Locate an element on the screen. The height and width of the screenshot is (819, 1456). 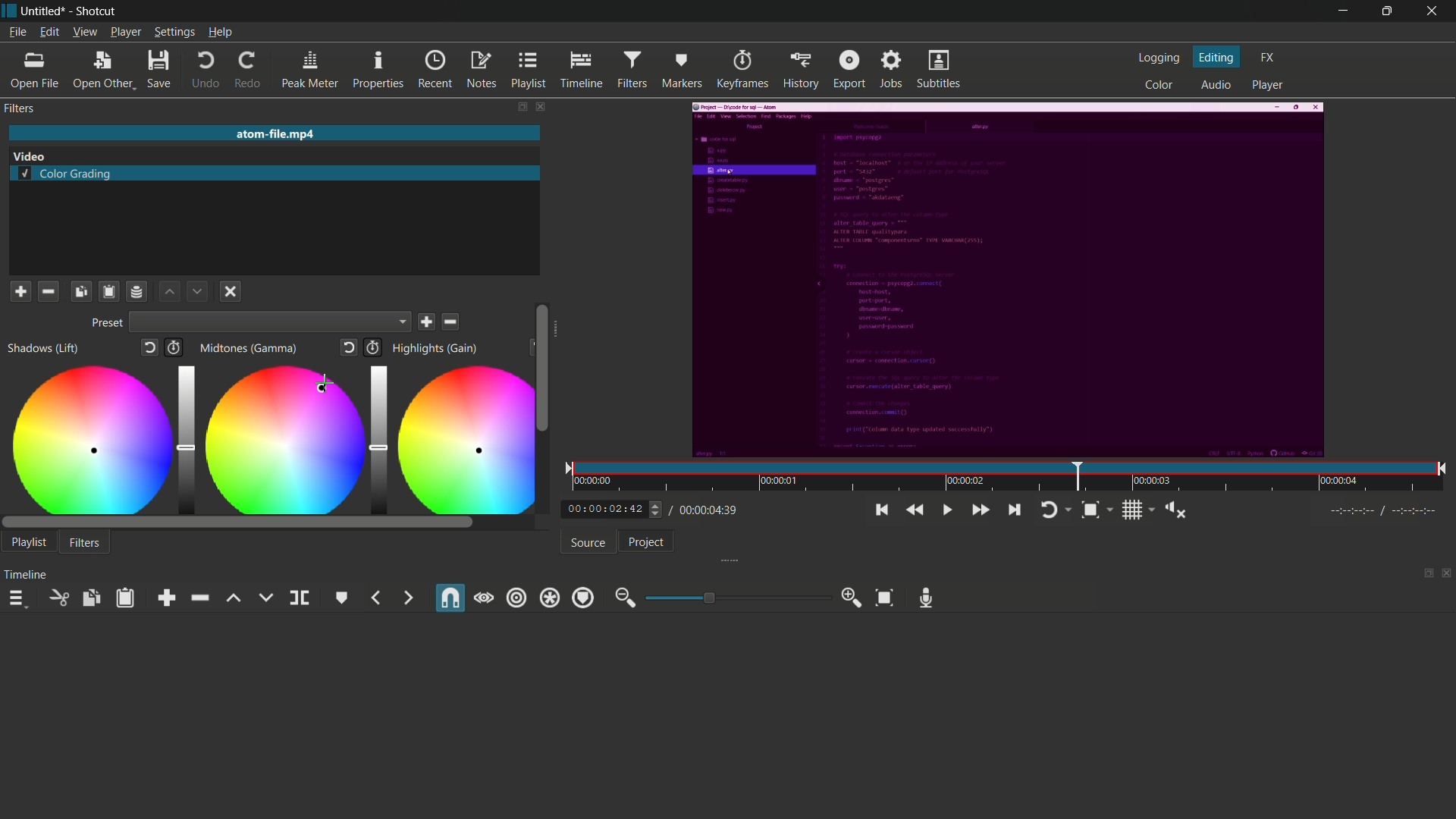
notes is located at coordinates (480, 70).